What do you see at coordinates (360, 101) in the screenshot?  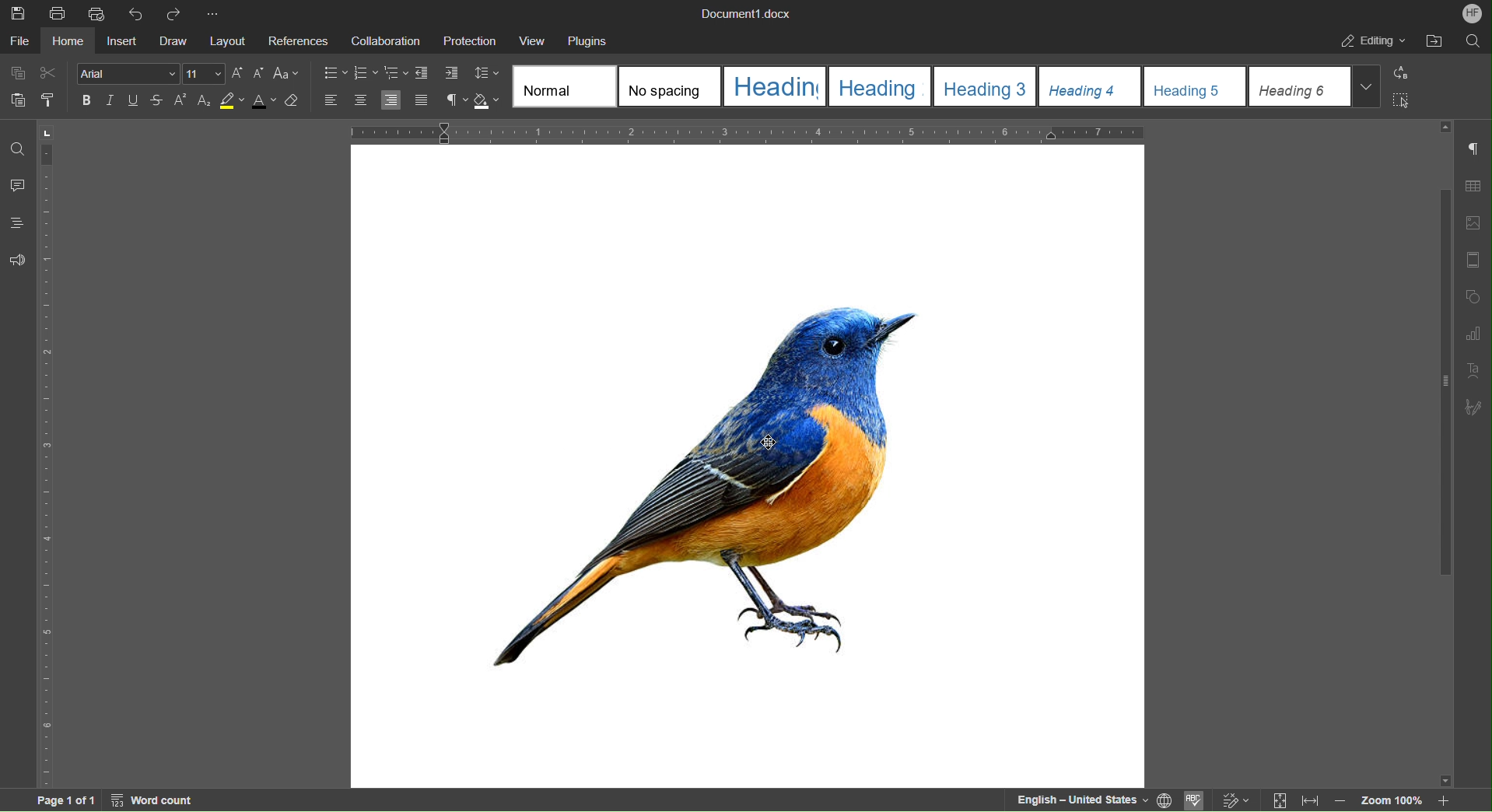 I see `Align Center` at bounding box center [360, 101].